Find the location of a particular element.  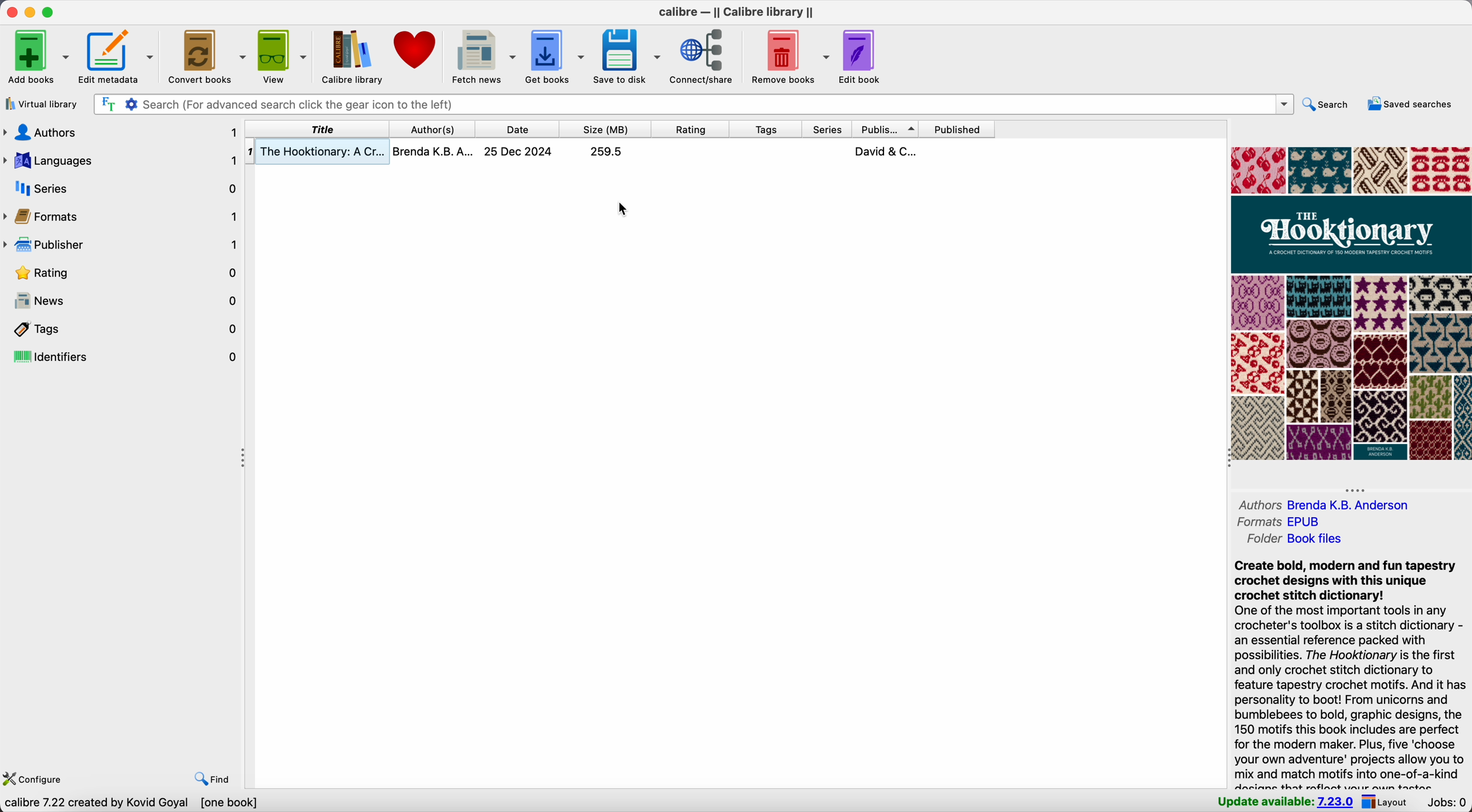

add books is located at coordinates (37, 56).